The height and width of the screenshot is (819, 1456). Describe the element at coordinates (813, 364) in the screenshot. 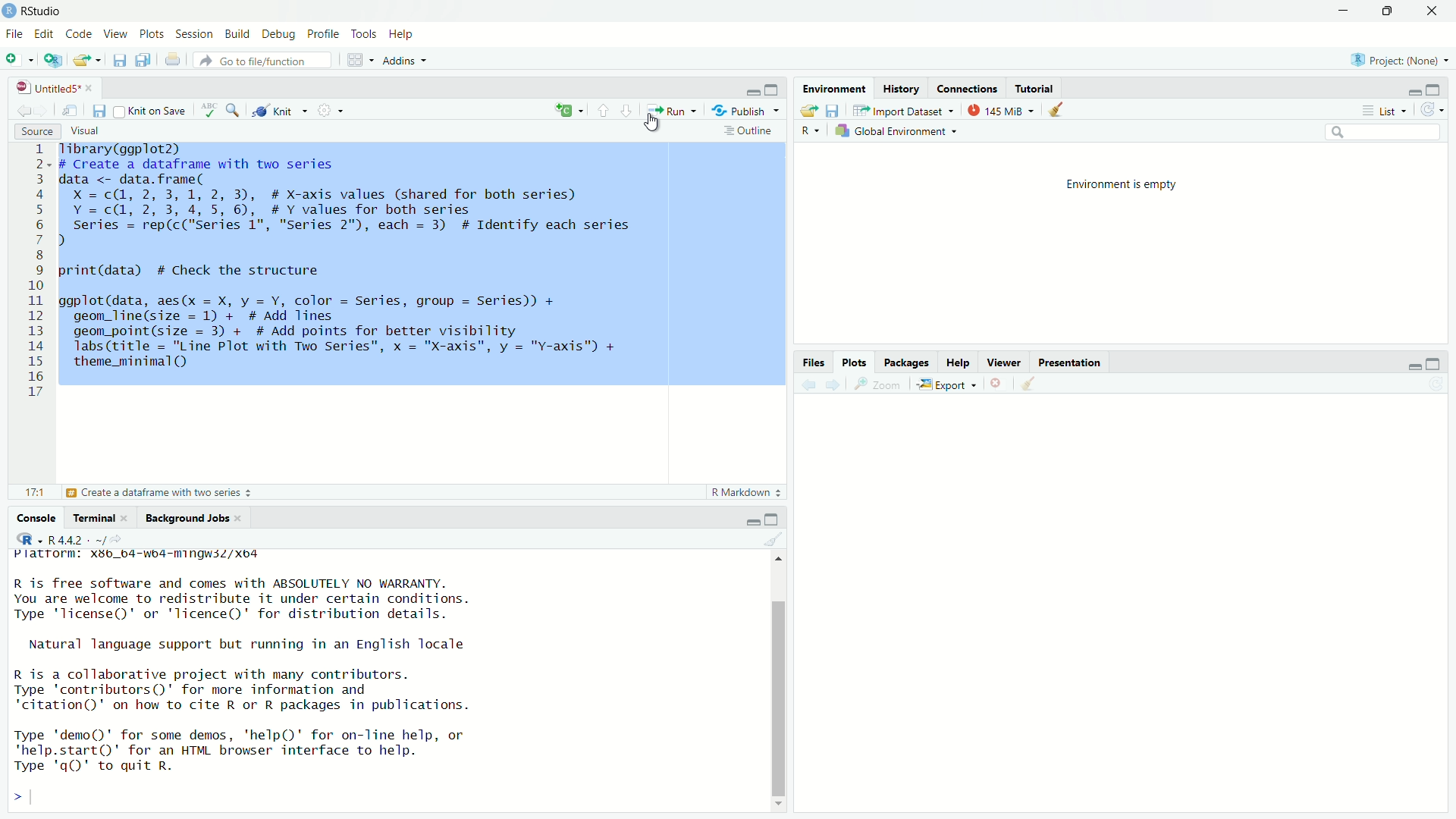

I see `Files` at that location.